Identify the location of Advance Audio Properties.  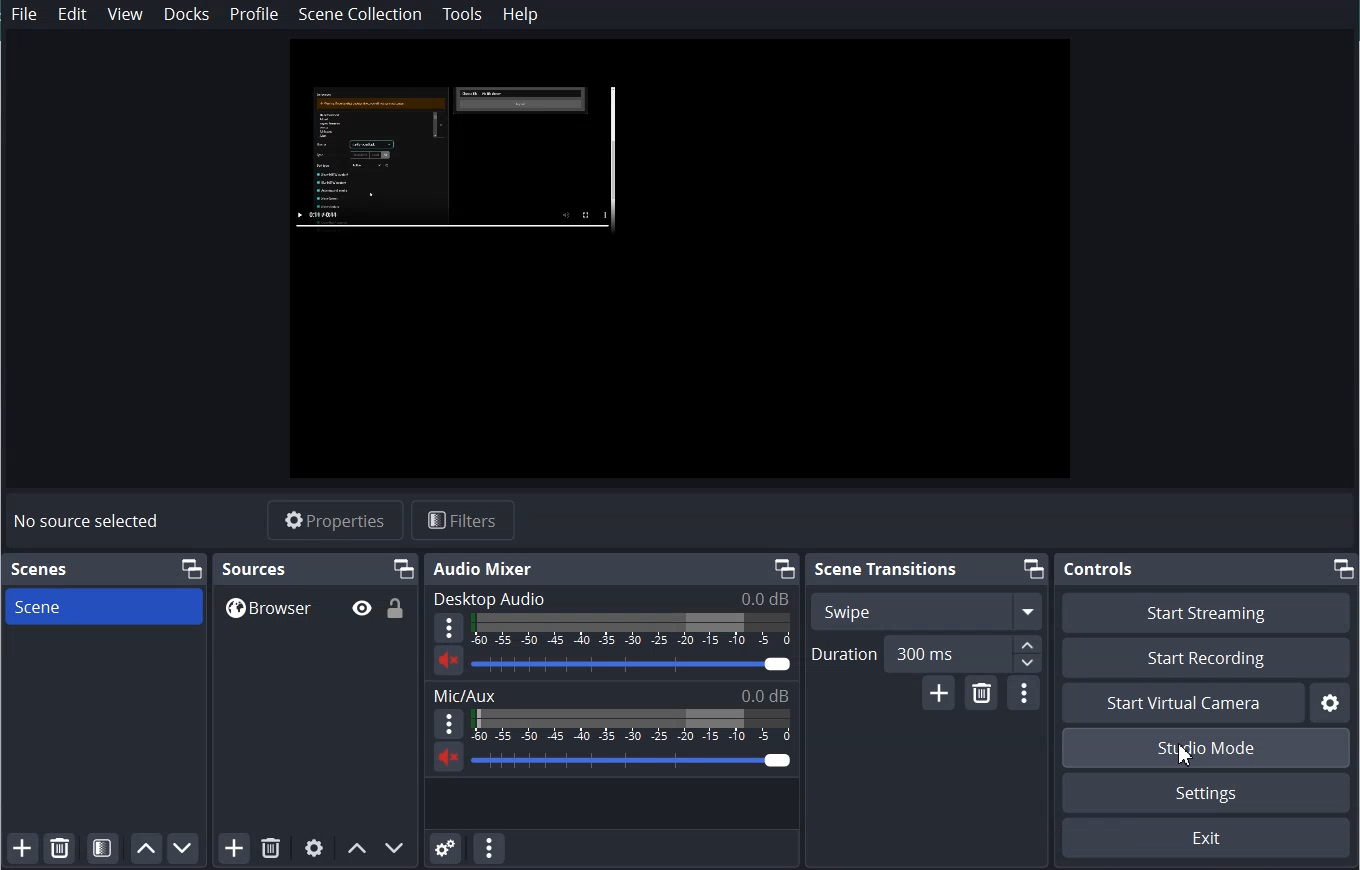
(445, 848).